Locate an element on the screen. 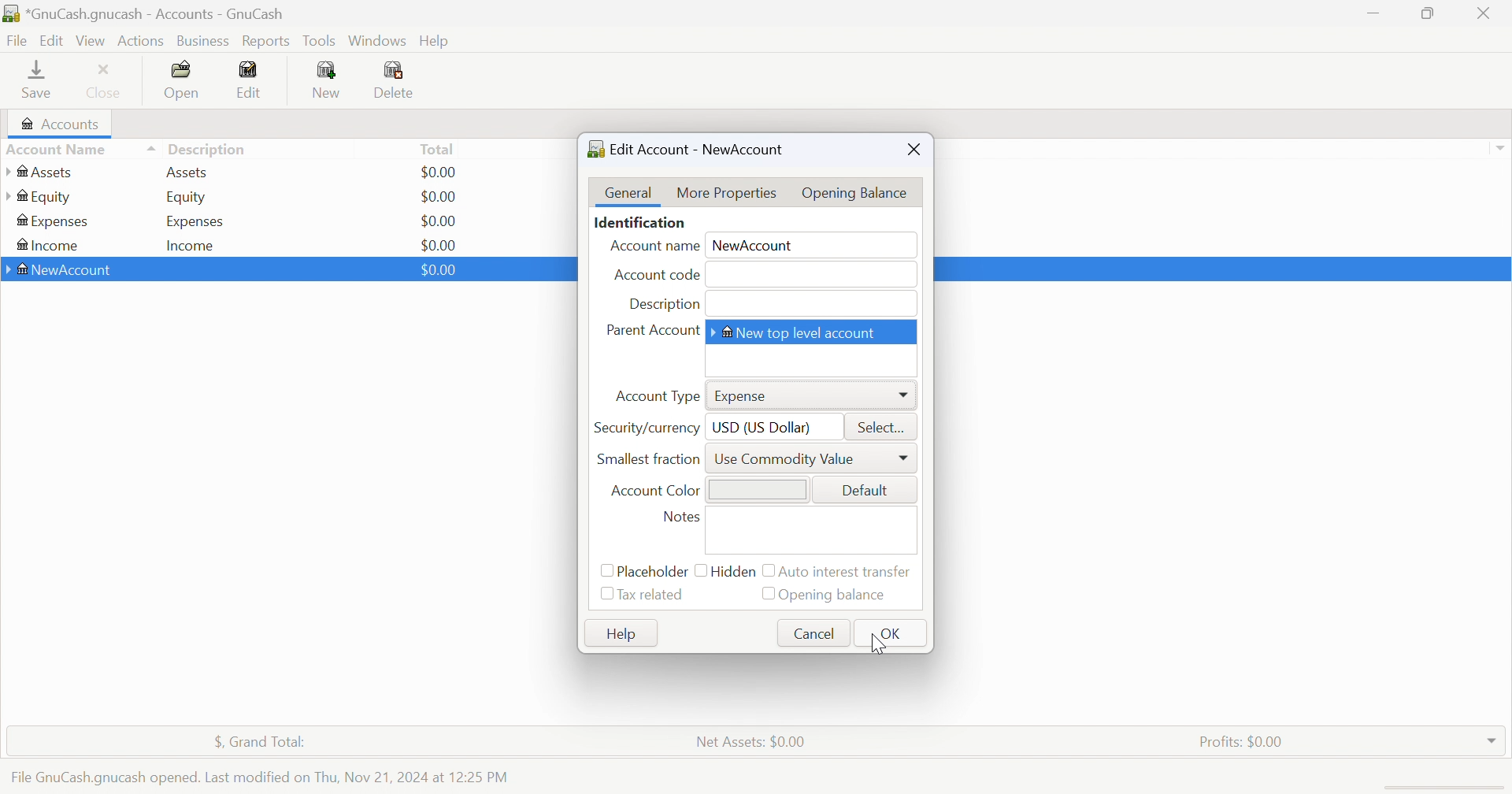  Parent Account is located at coordinates (650, 332).